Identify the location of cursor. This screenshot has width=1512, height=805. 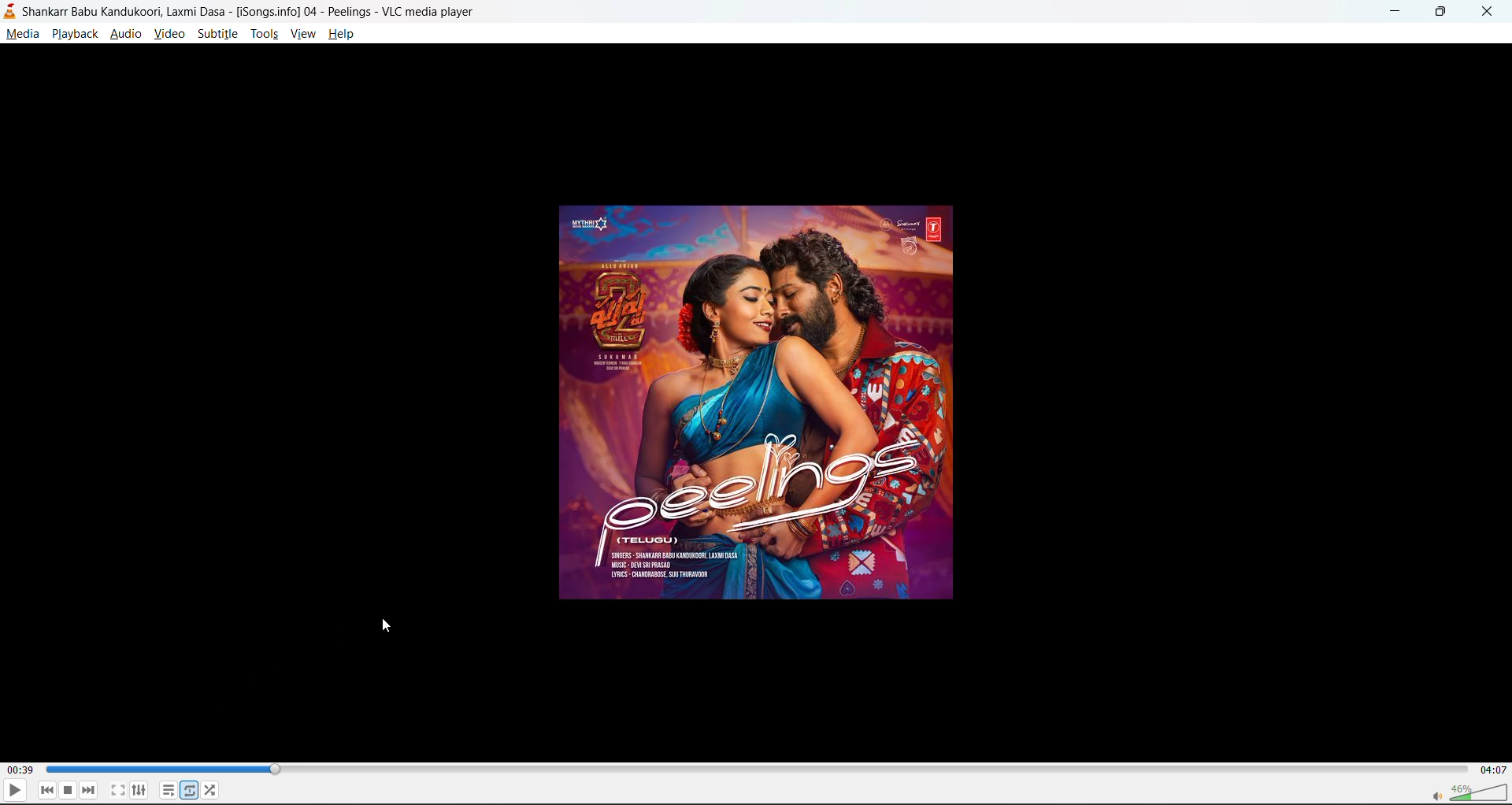
(387, 627).